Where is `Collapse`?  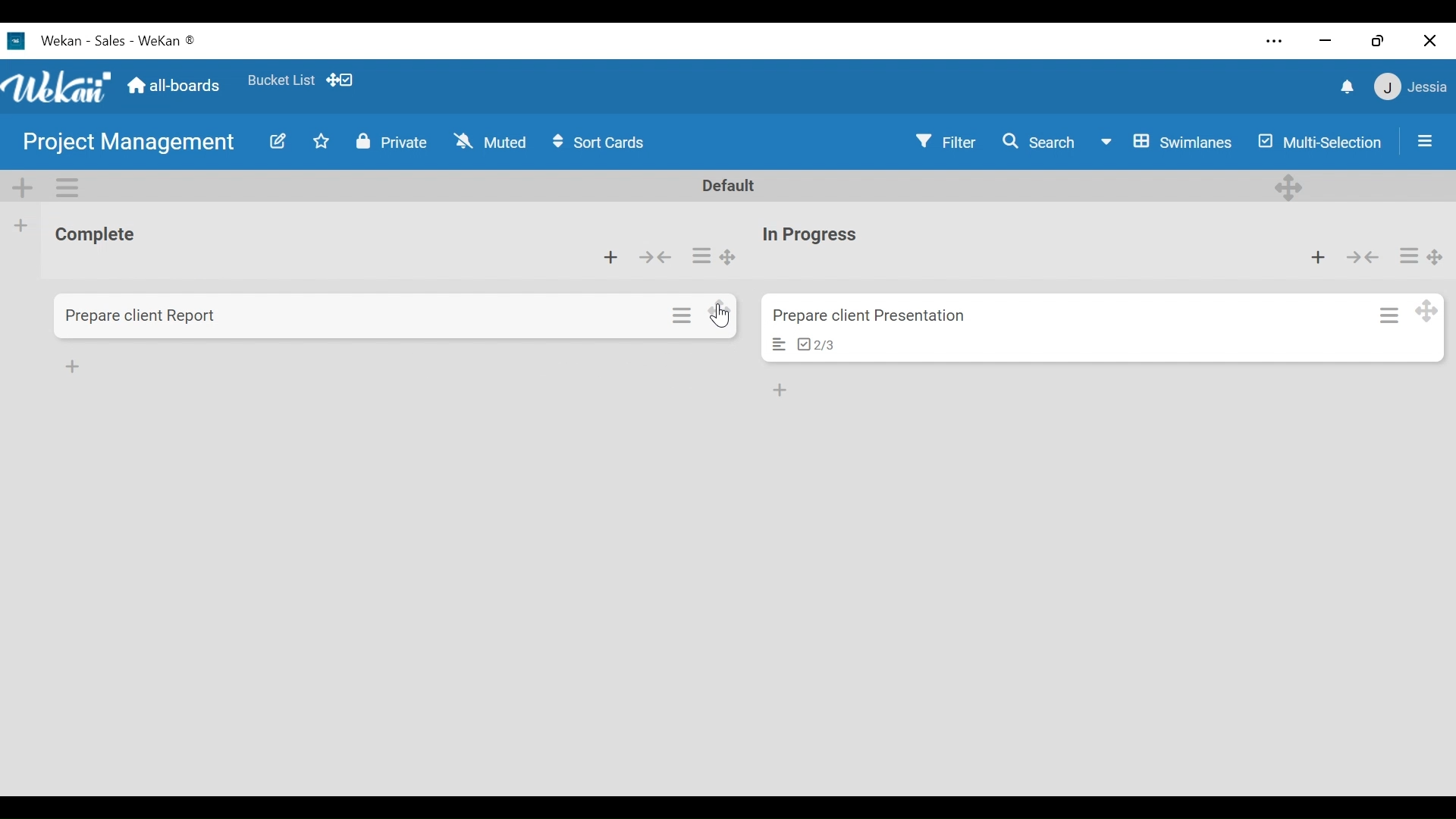
Collapse is located at coordinates (658, 258).